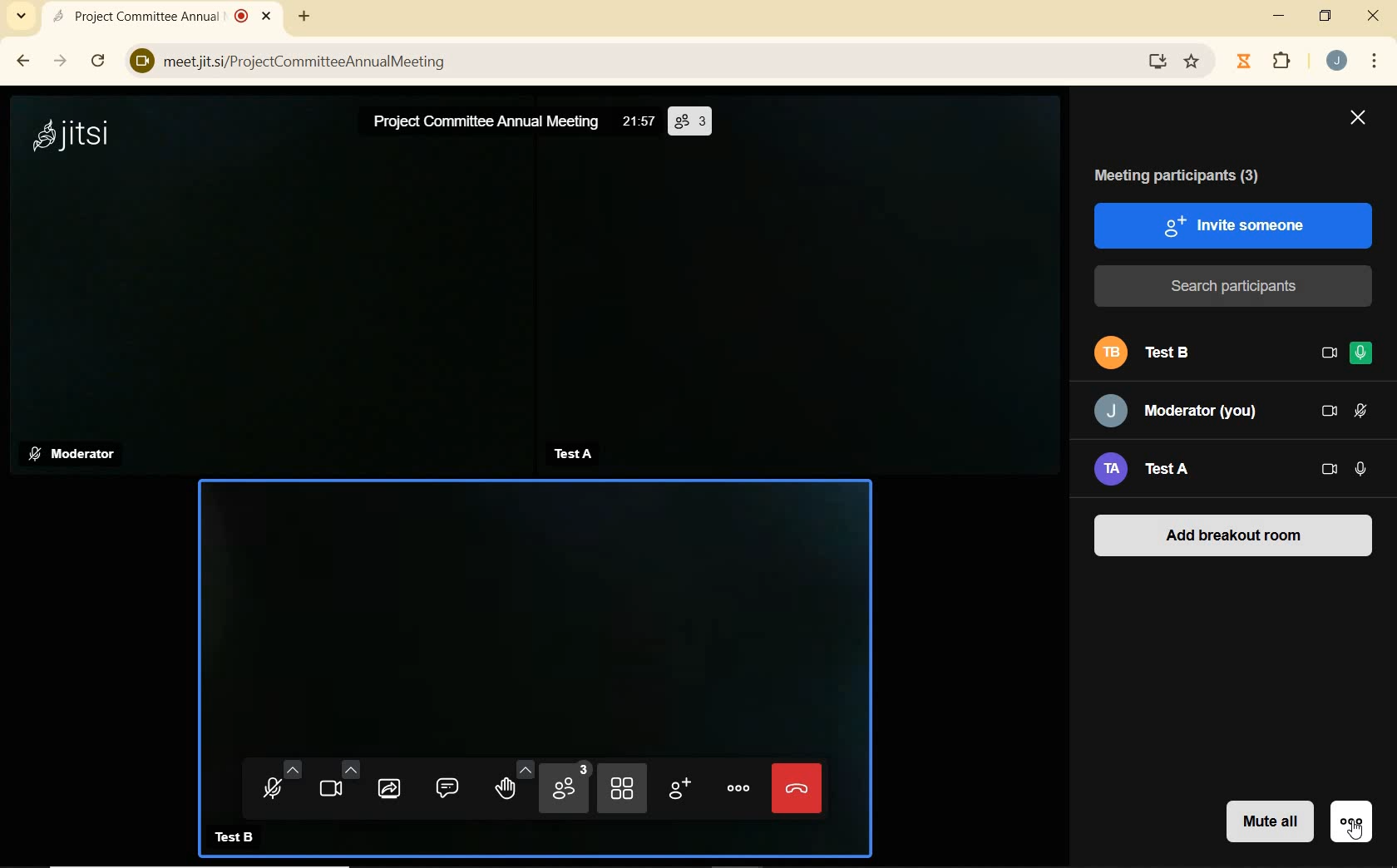 The image size is (1397, 868). What do you see at coordinates (22, 62) in the screenshot?
I see `BACK` at bounding box center [22, 62].